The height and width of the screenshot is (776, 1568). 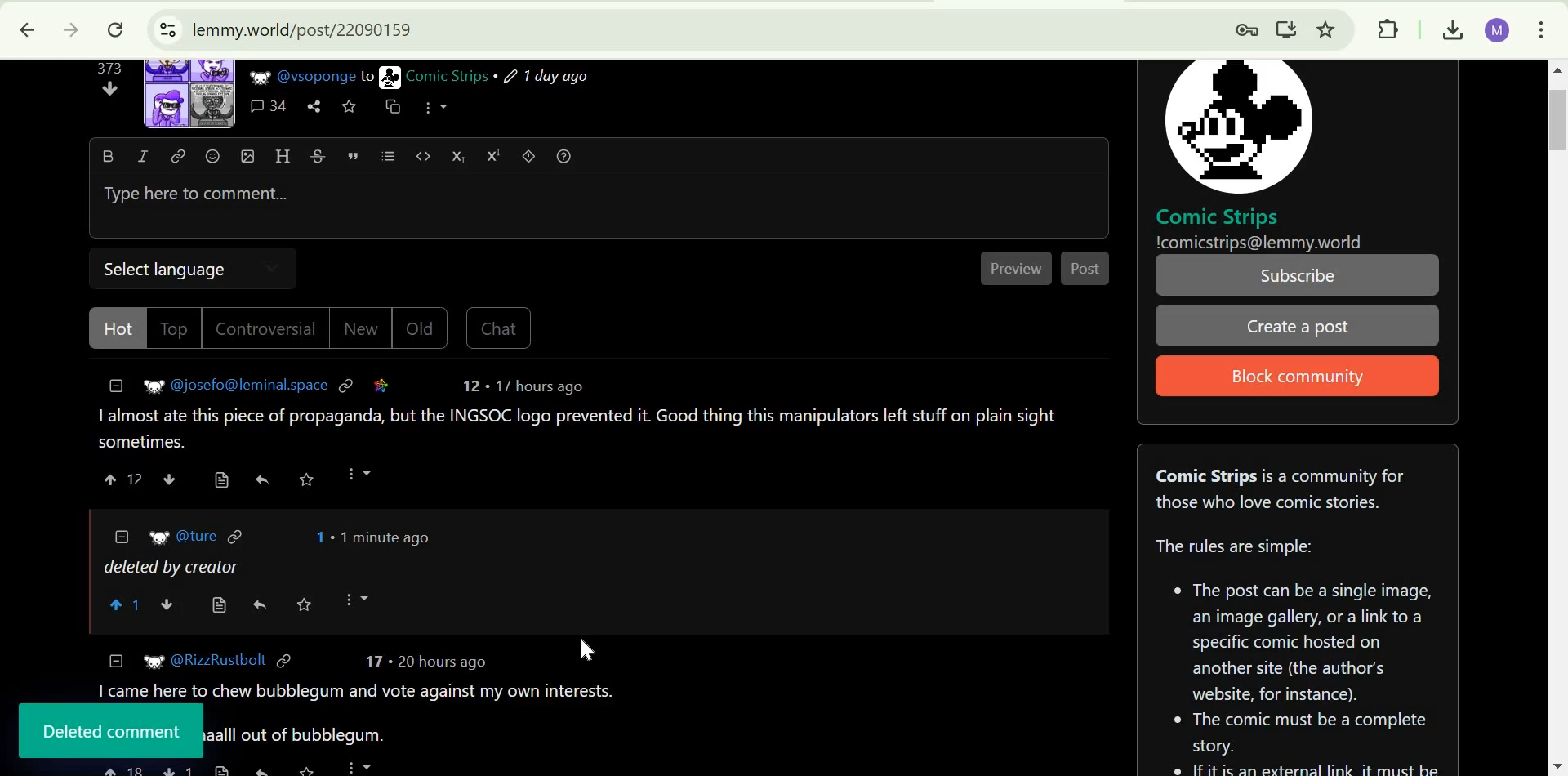 I want to click on spoiler, so click(x=529, y=155).